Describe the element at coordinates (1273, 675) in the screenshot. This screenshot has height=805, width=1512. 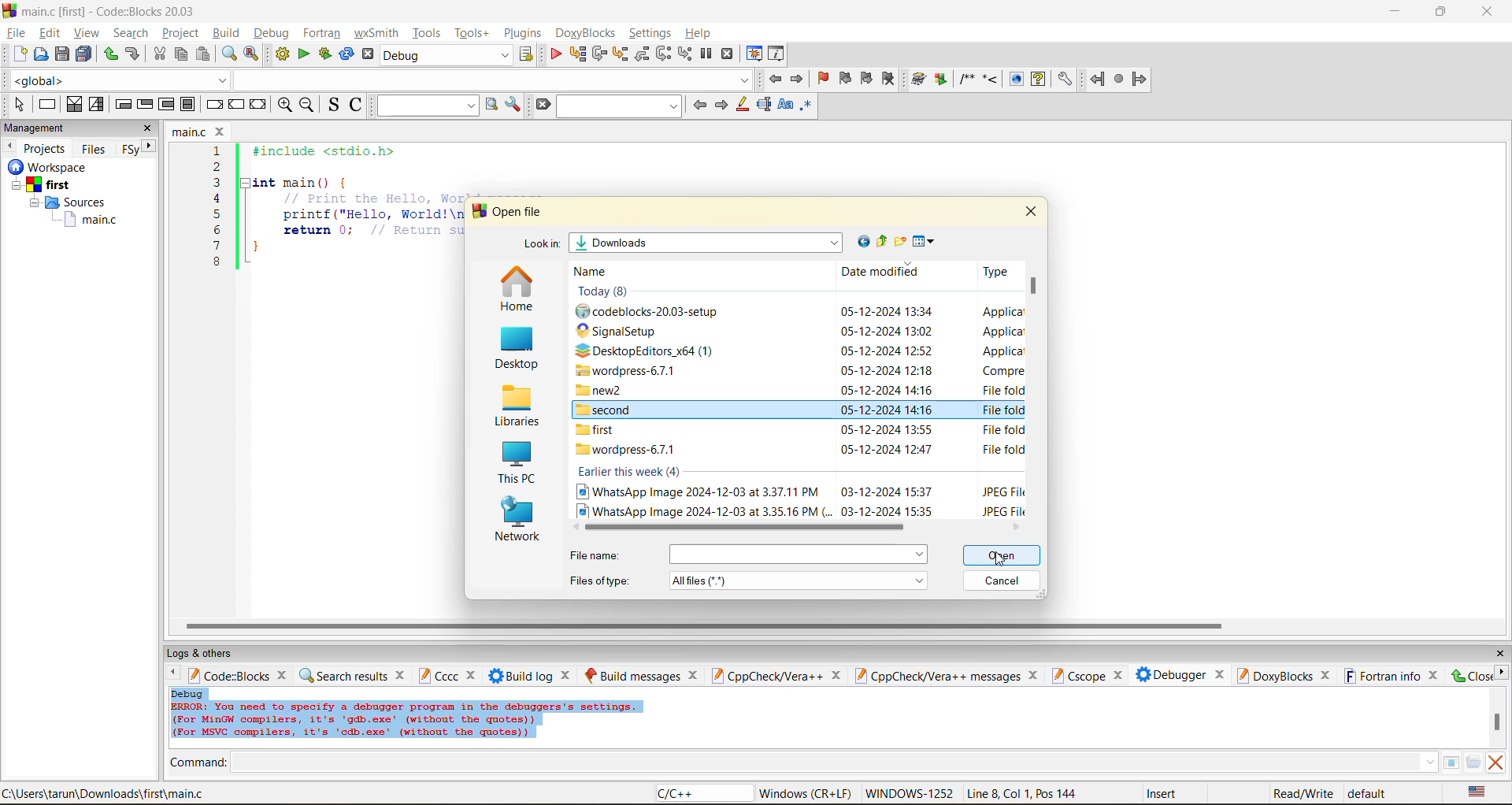
I see `doxyblocks` at that location.